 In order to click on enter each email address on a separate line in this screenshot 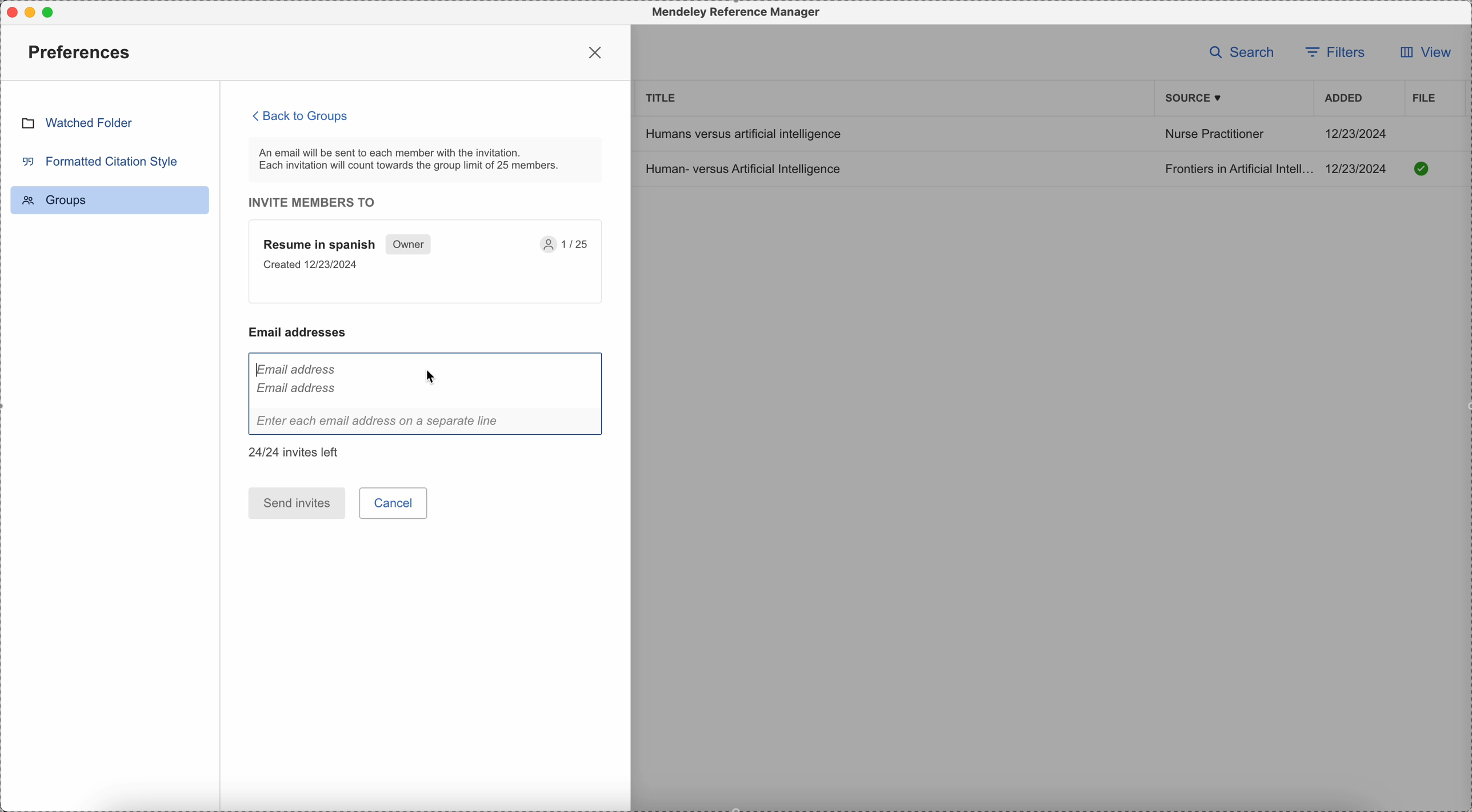, I will do `click(426, 423)`.